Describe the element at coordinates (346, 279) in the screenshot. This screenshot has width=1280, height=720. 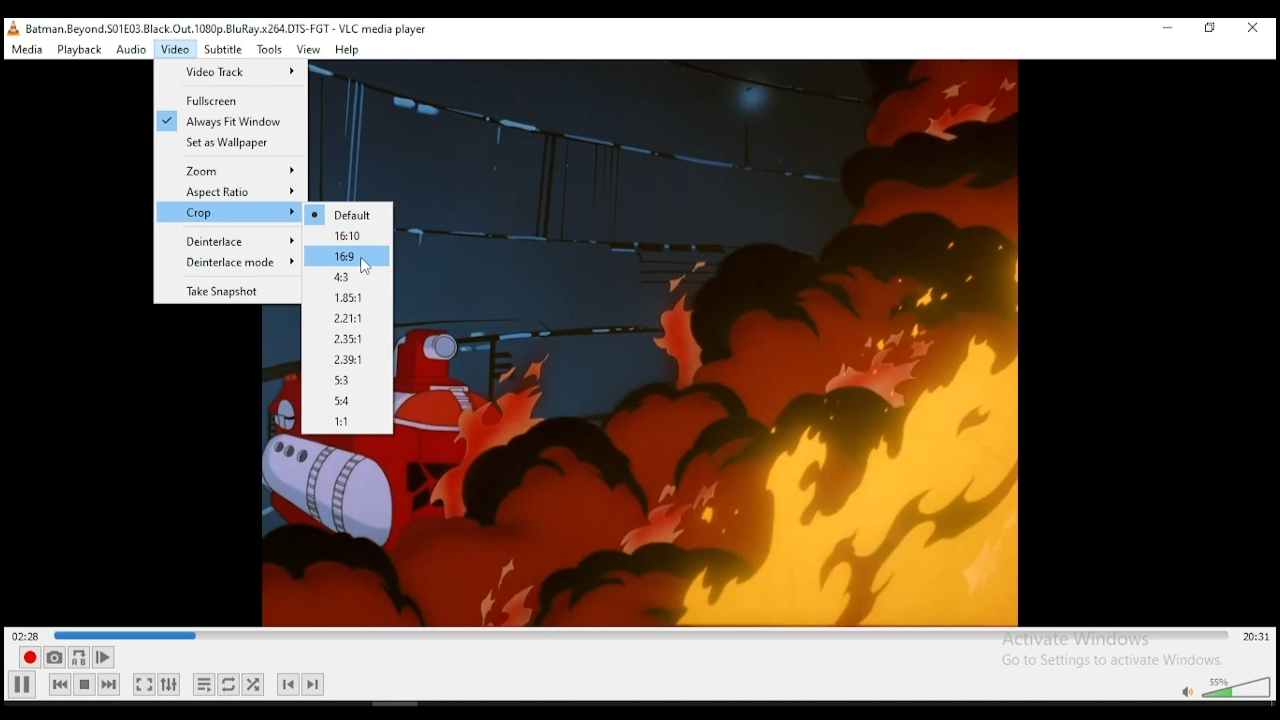
I see `4.3` at that location.